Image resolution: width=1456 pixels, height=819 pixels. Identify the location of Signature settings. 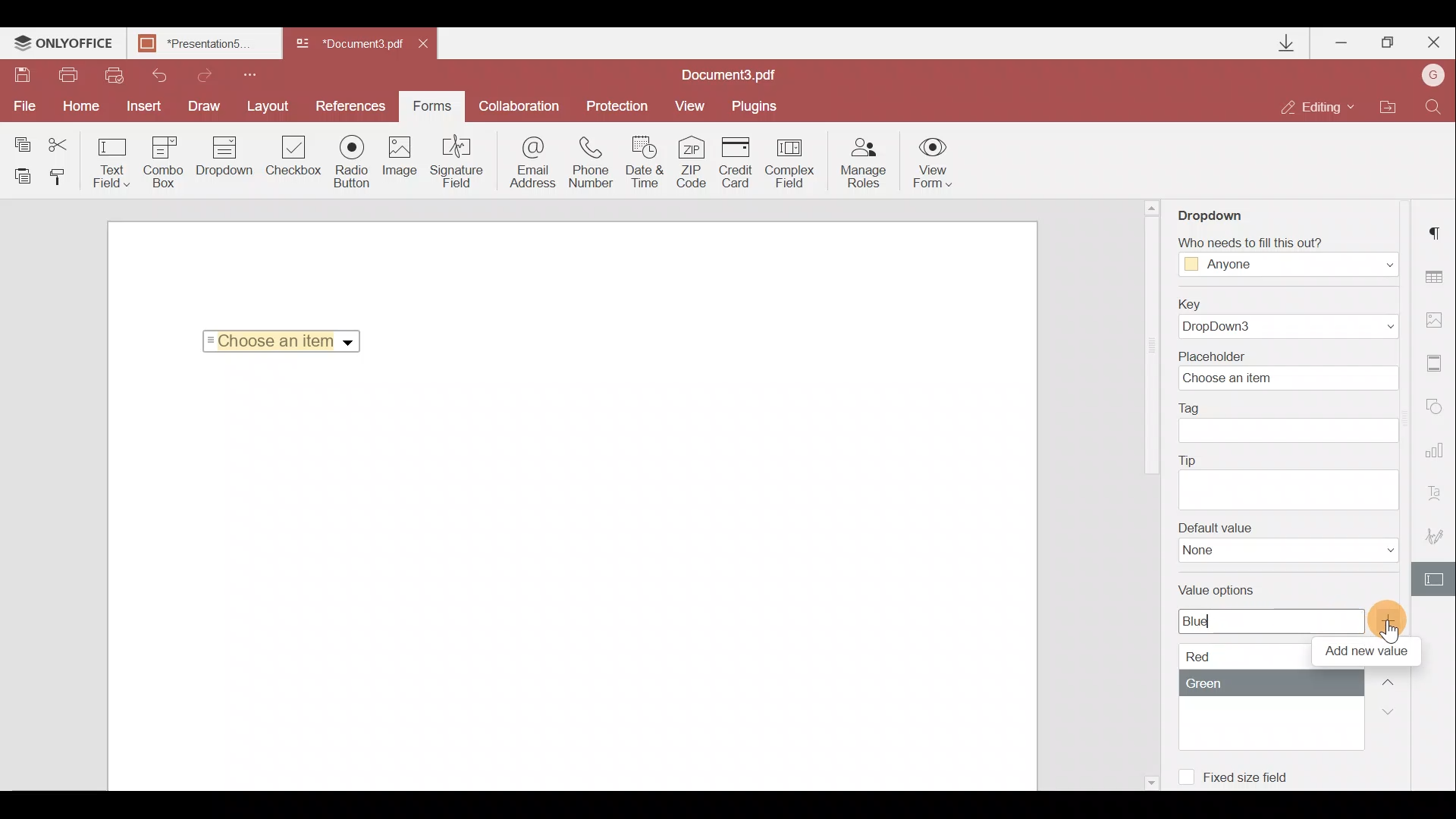
(1433, 531).